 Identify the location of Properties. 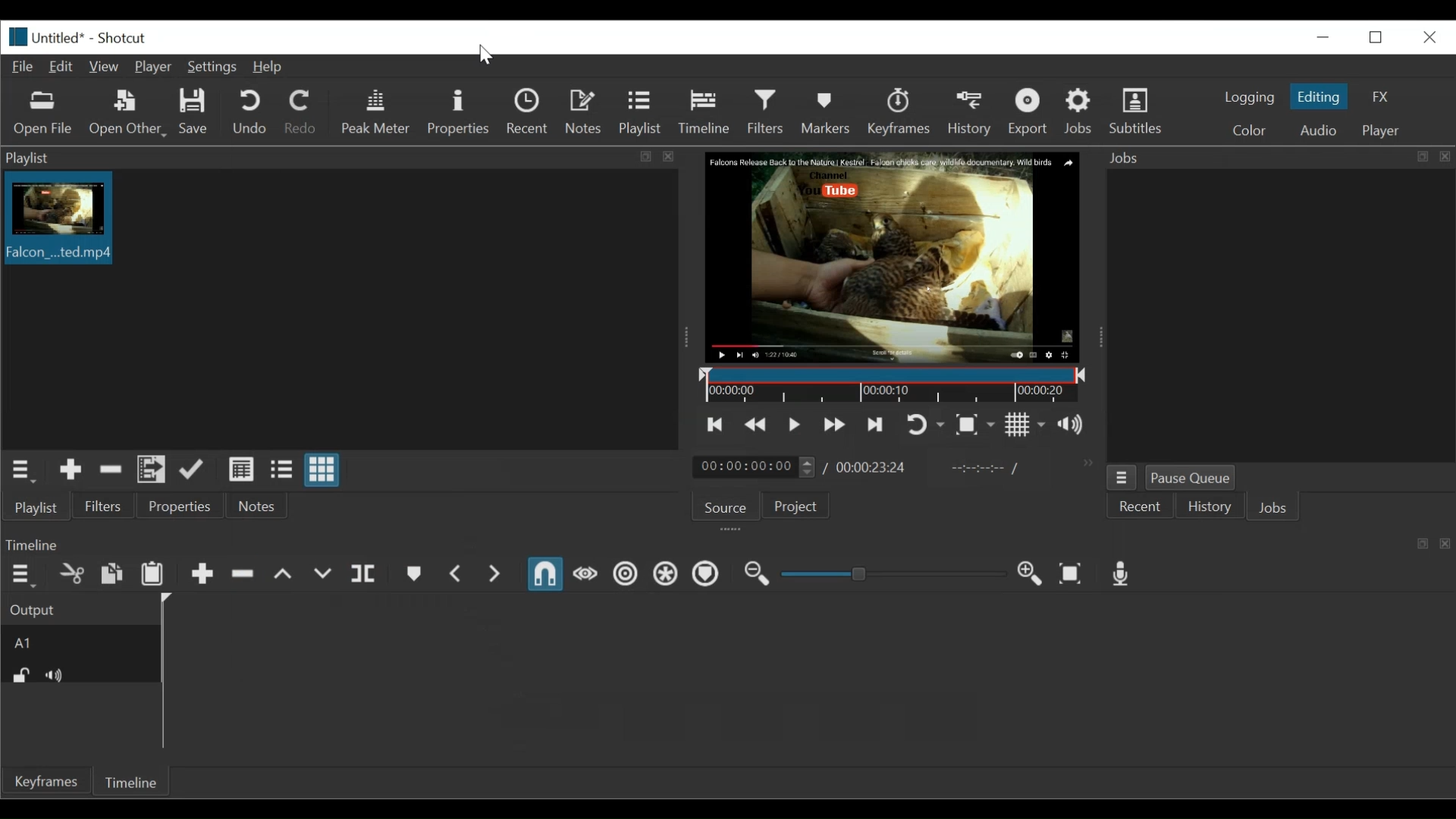
(460, 112).